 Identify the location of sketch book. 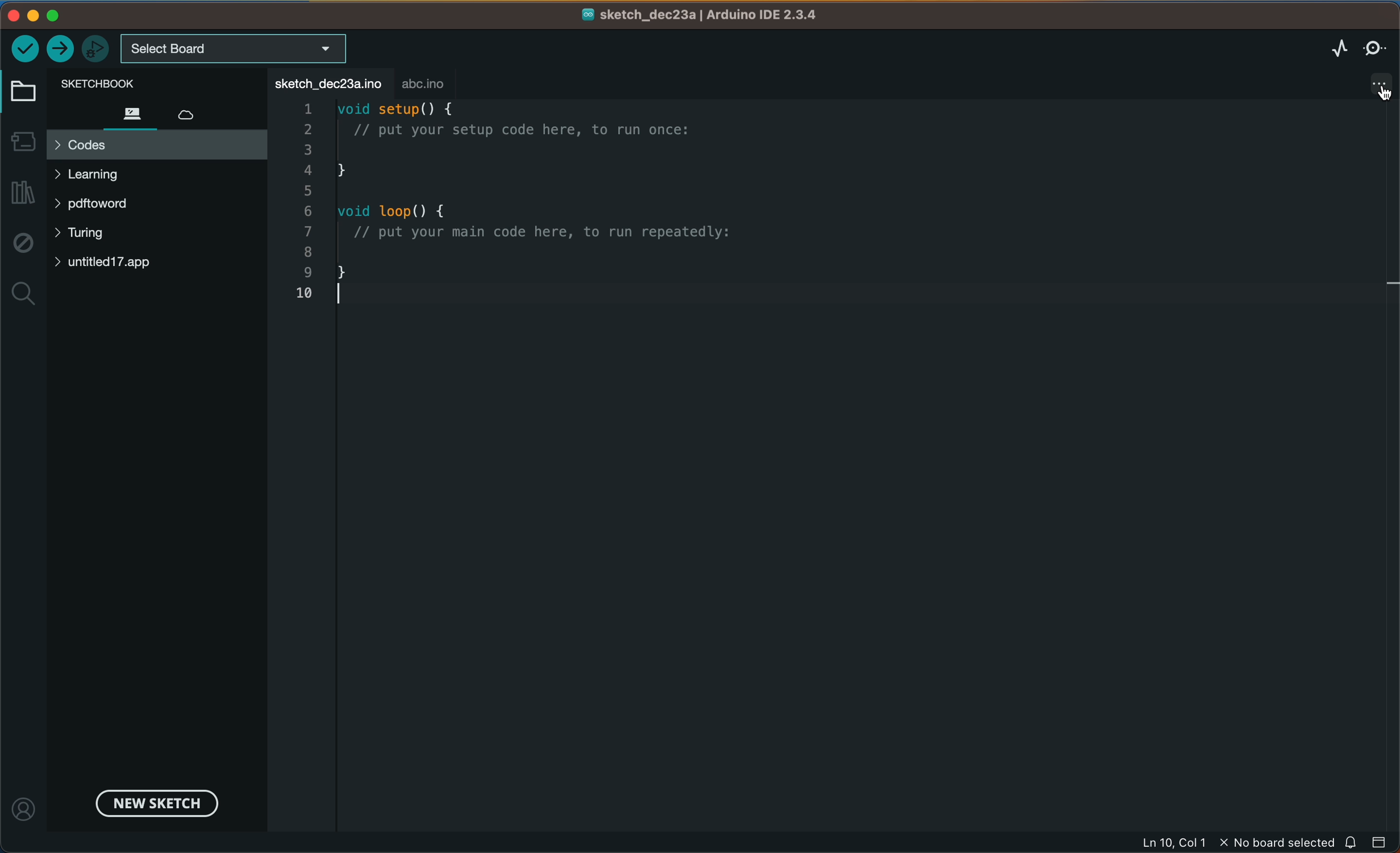
(105, 84).